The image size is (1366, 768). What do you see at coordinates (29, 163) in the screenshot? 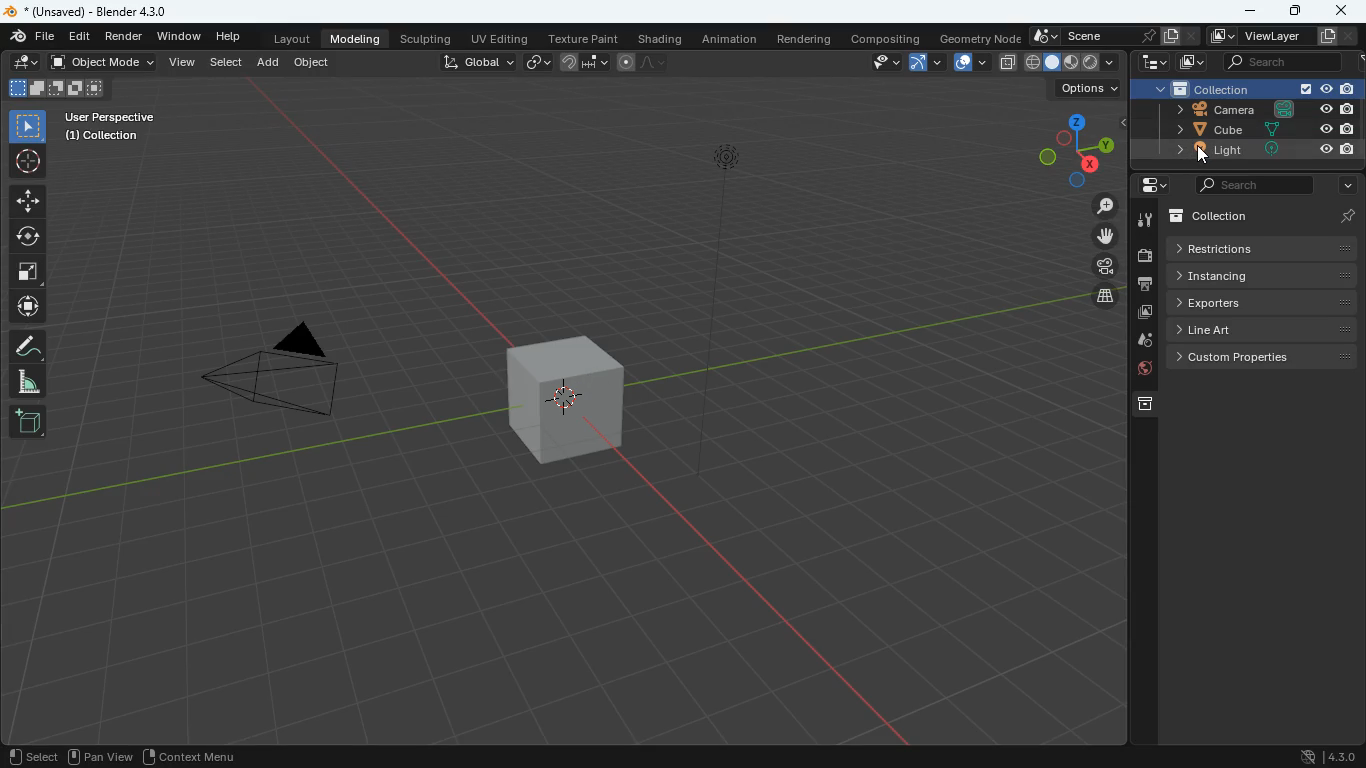
I see `aim` at bounding box center [29, 163].